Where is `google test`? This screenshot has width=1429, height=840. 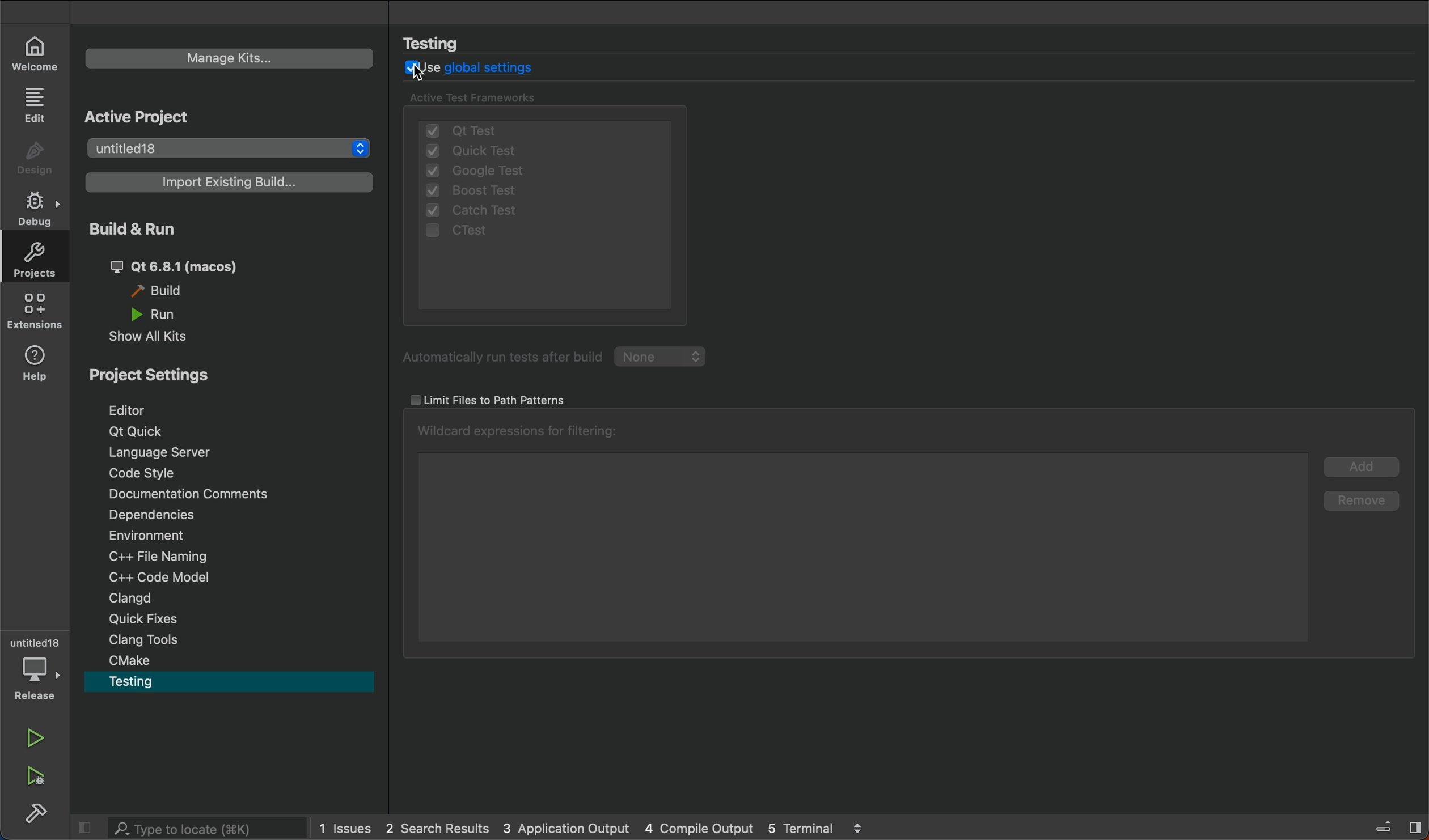 google test is located at coordinates (478, 172).